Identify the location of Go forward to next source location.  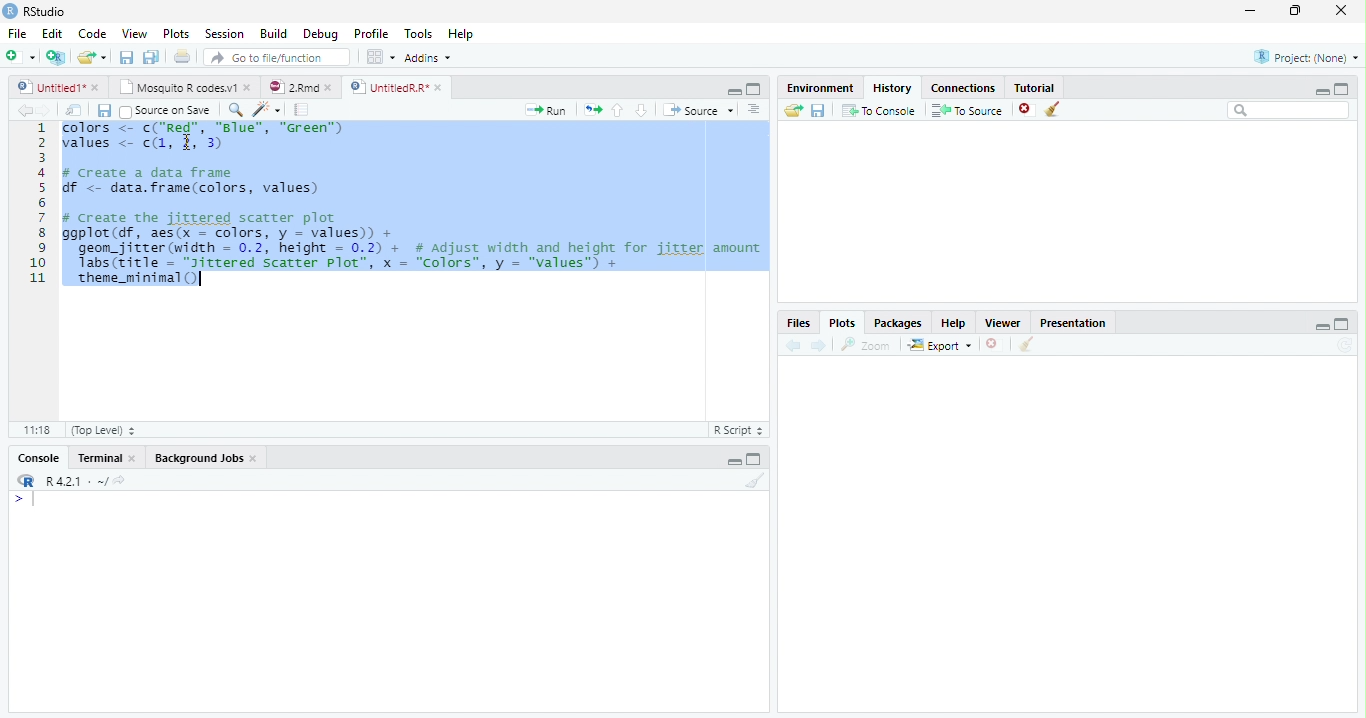
(44, 111).